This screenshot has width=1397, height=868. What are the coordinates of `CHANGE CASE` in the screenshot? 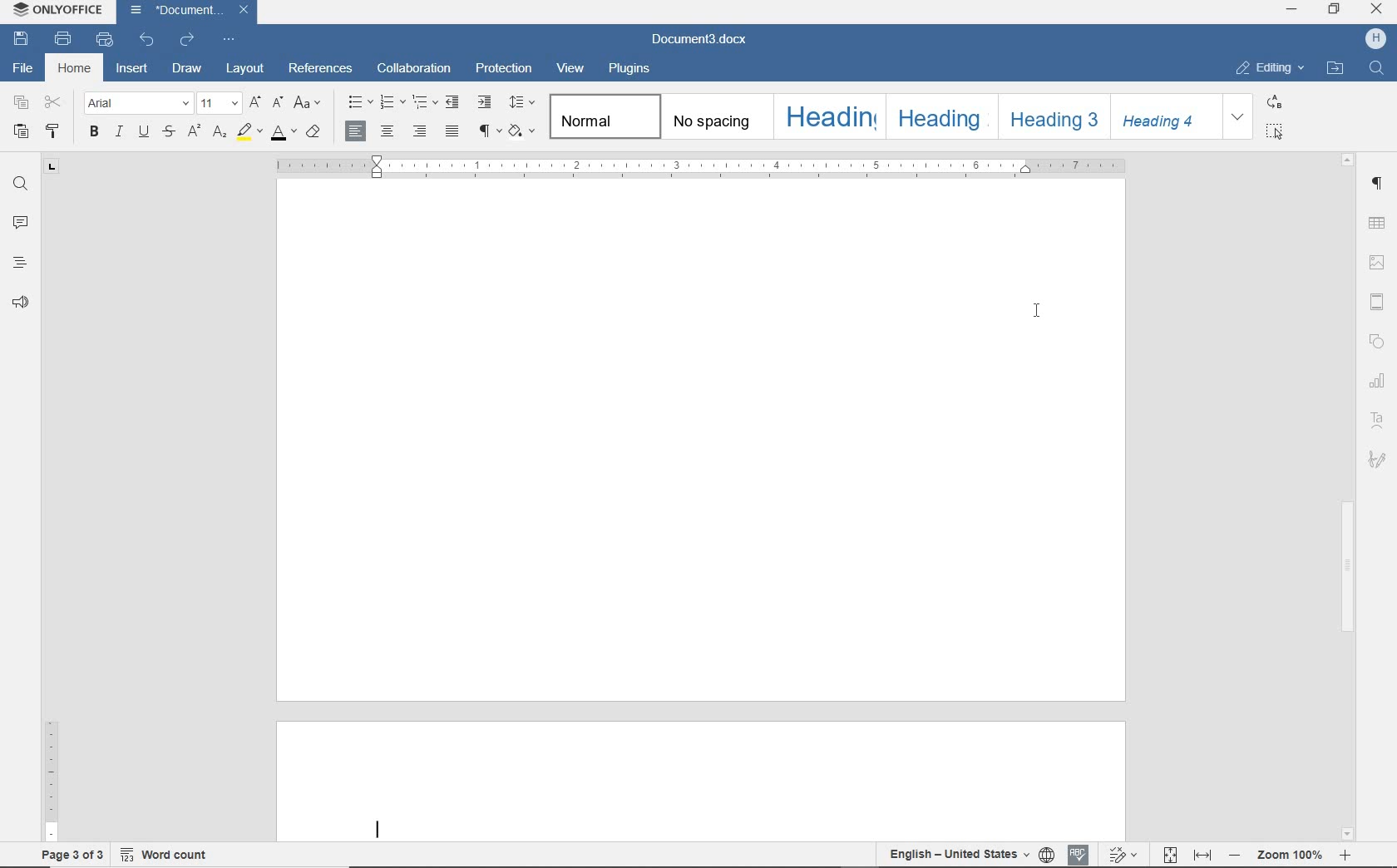 It's located at (308, 103).